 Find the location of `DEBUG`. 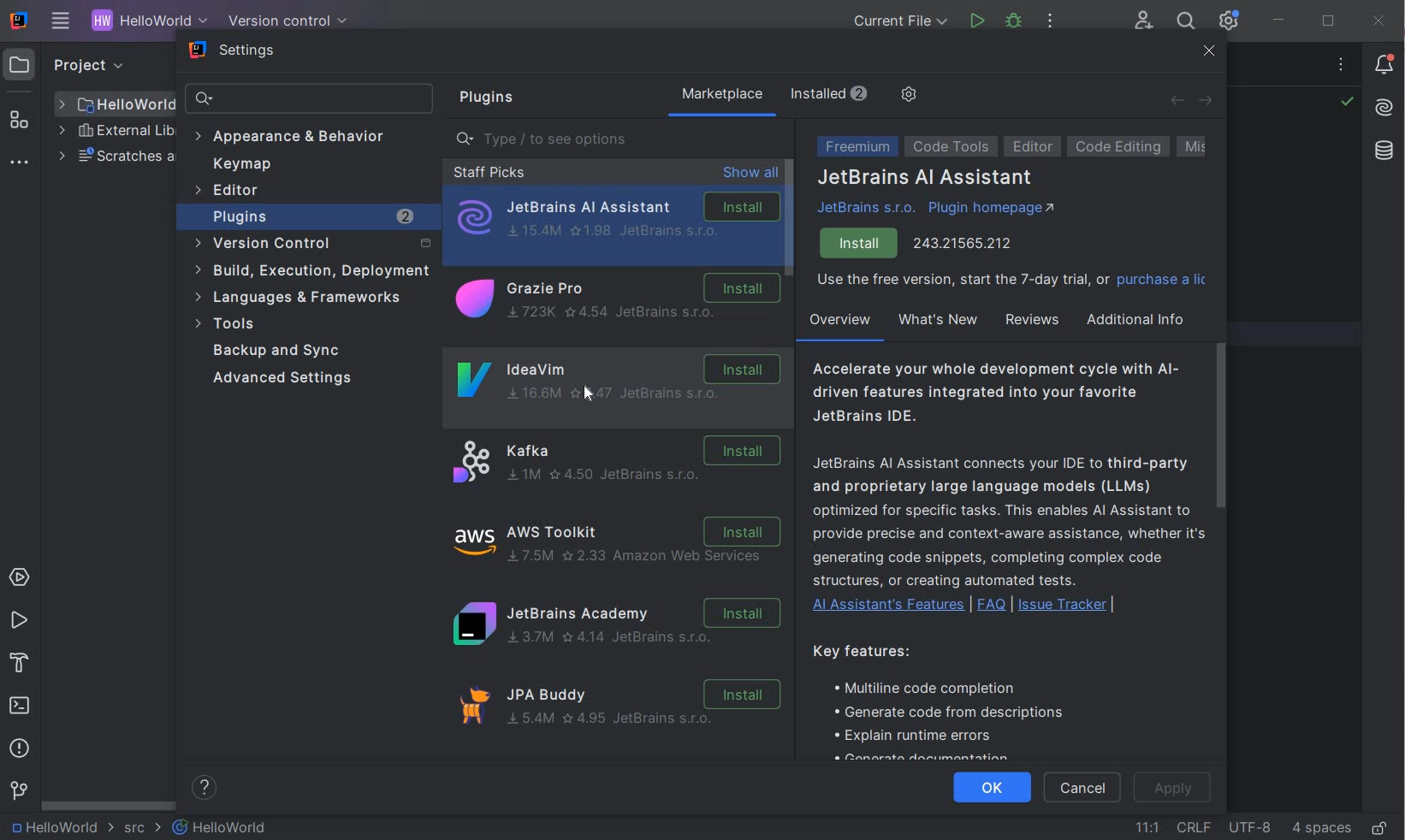

DEBUG is located at coordinates (1017, 24).